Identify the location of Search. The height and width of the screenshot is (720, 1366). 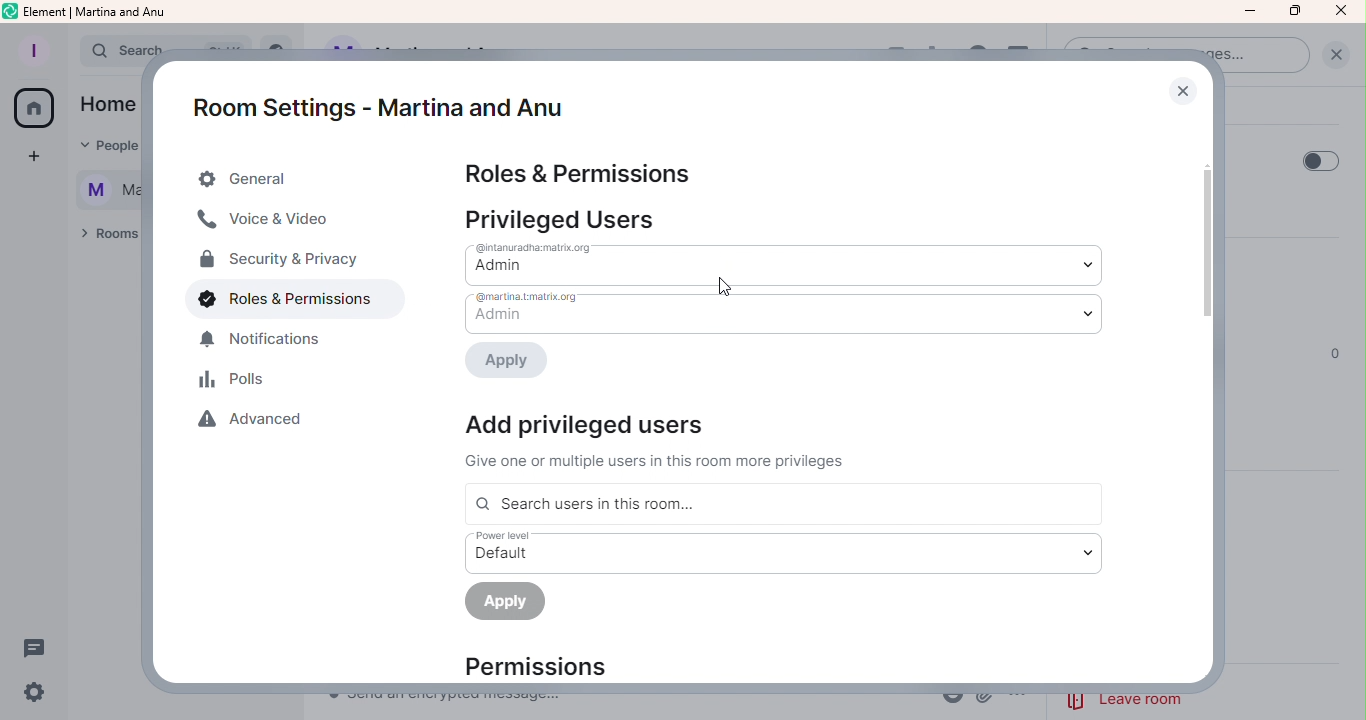
(108, 51).